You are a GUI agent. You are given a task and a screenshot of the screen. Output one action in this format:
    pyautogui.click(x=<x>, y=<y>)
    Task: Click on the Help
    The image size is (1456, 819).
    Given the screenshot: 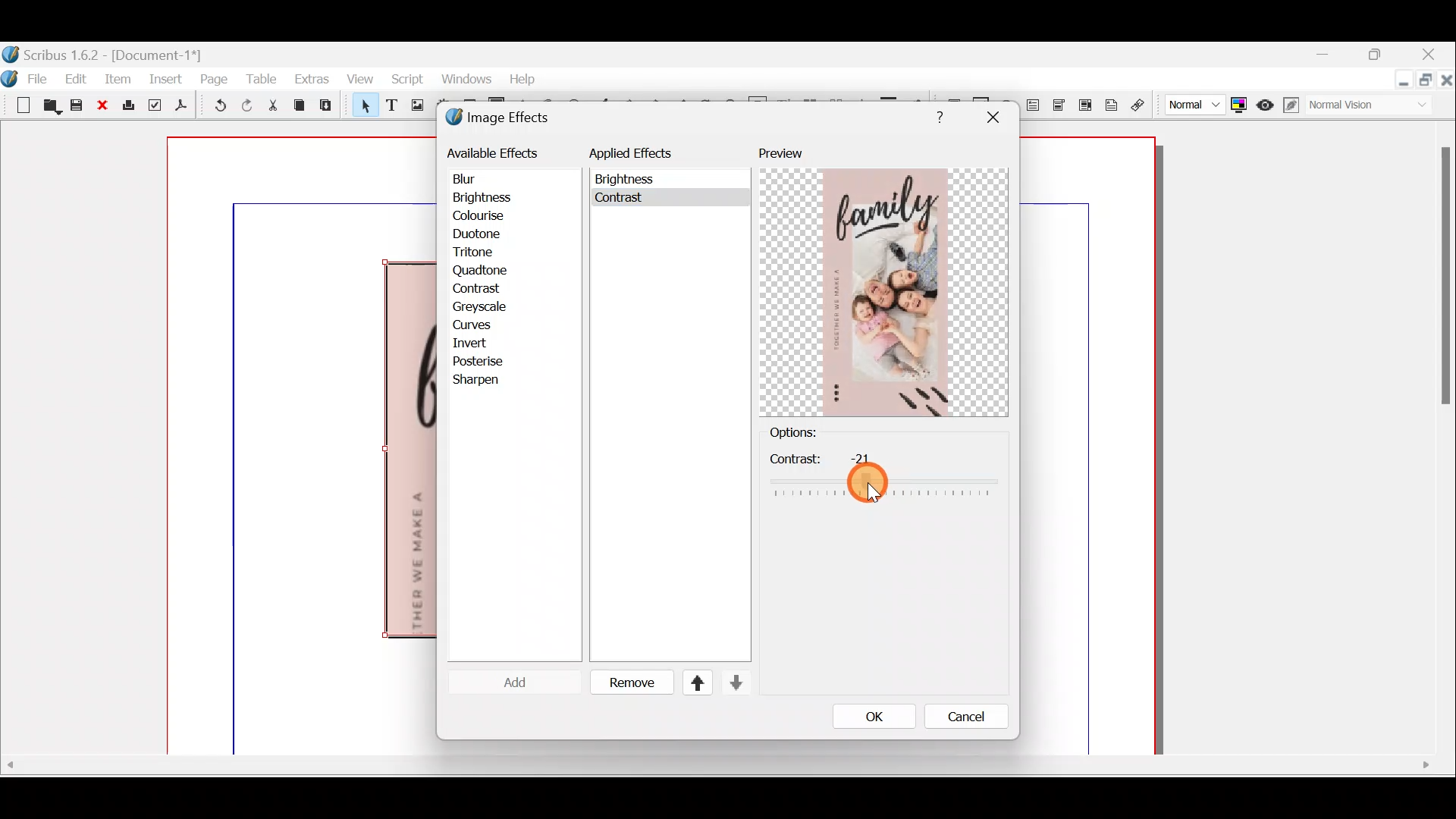 What is the action you would take?
    pyautogui.click(x=522, y=77)
    